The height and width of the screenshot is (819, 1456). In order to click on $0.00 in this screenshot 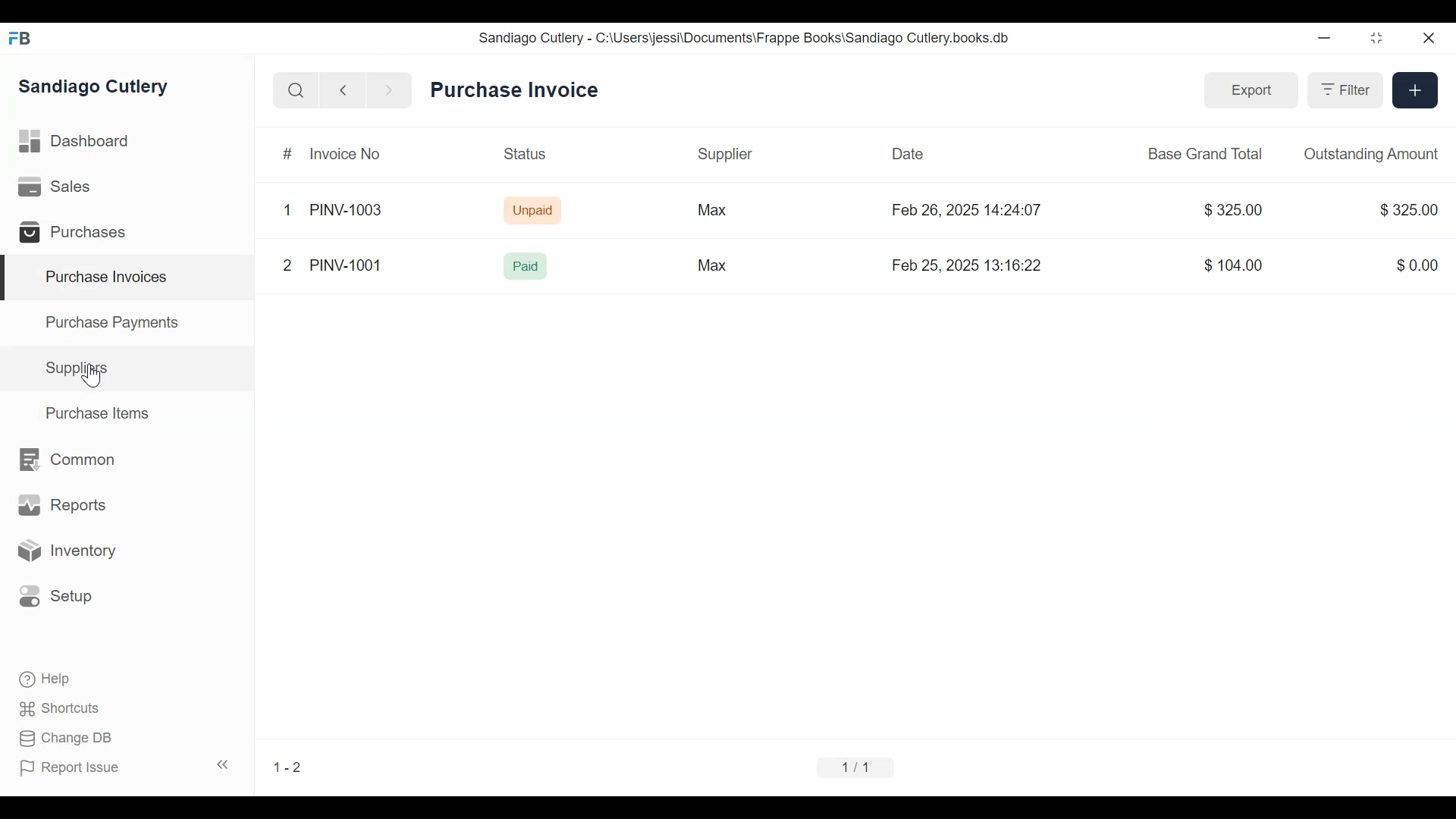, I will do `click(1416, 268)`.